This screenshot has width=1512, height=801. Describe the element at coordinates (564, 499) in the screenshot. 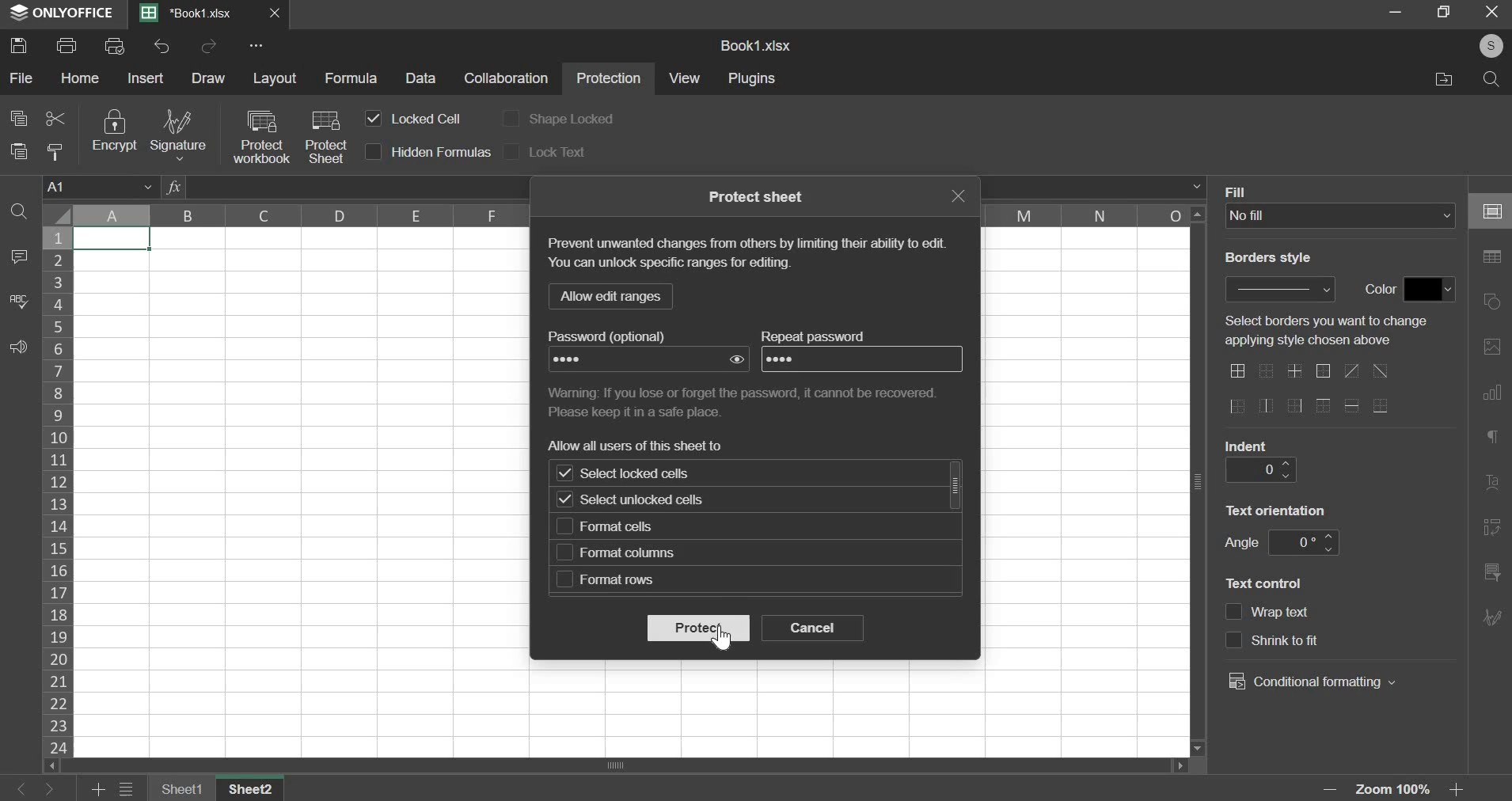

I see `checkbox` at that location.